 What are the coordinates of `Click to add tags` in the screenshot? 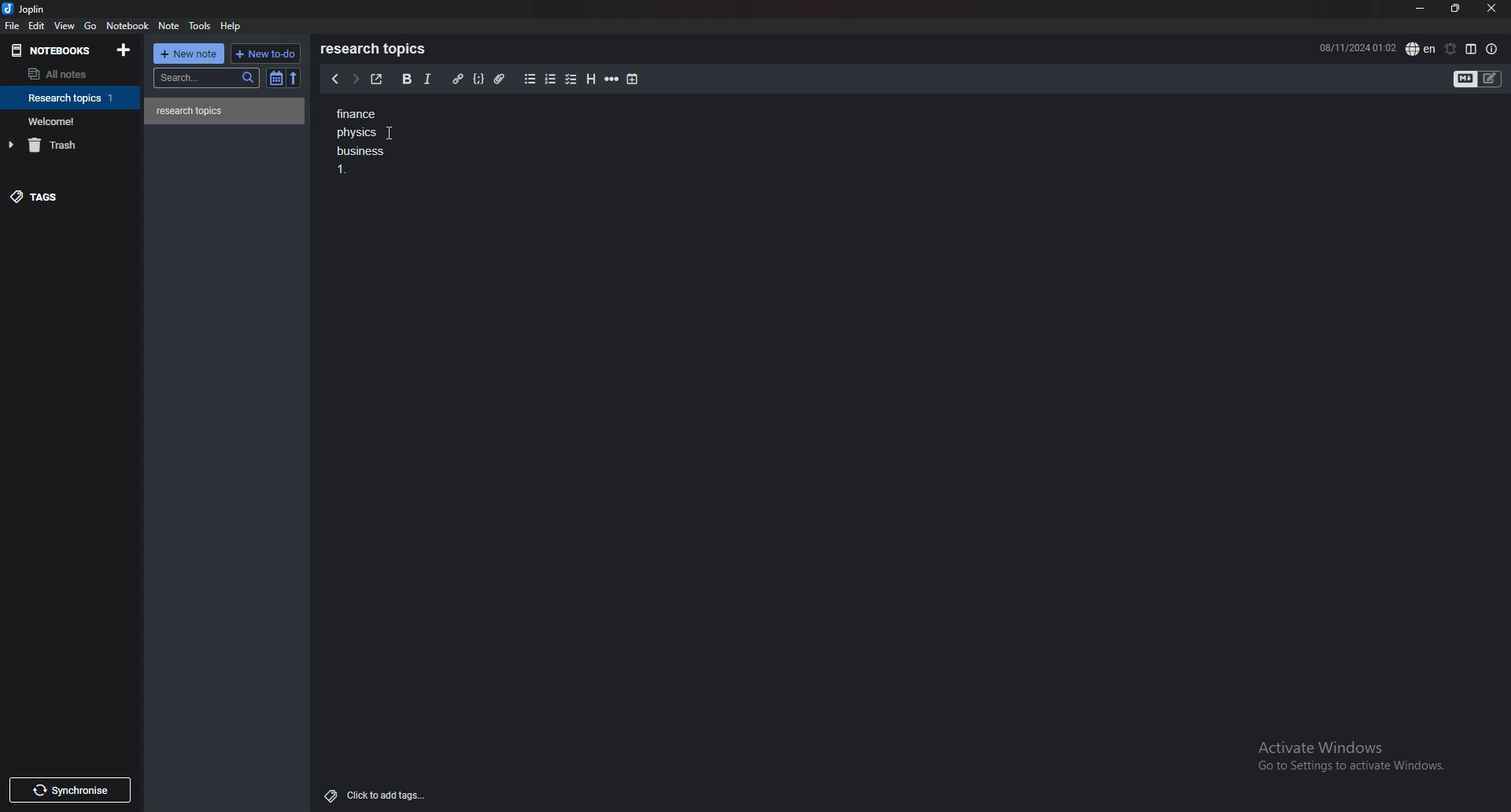 It's located at (371, 795).